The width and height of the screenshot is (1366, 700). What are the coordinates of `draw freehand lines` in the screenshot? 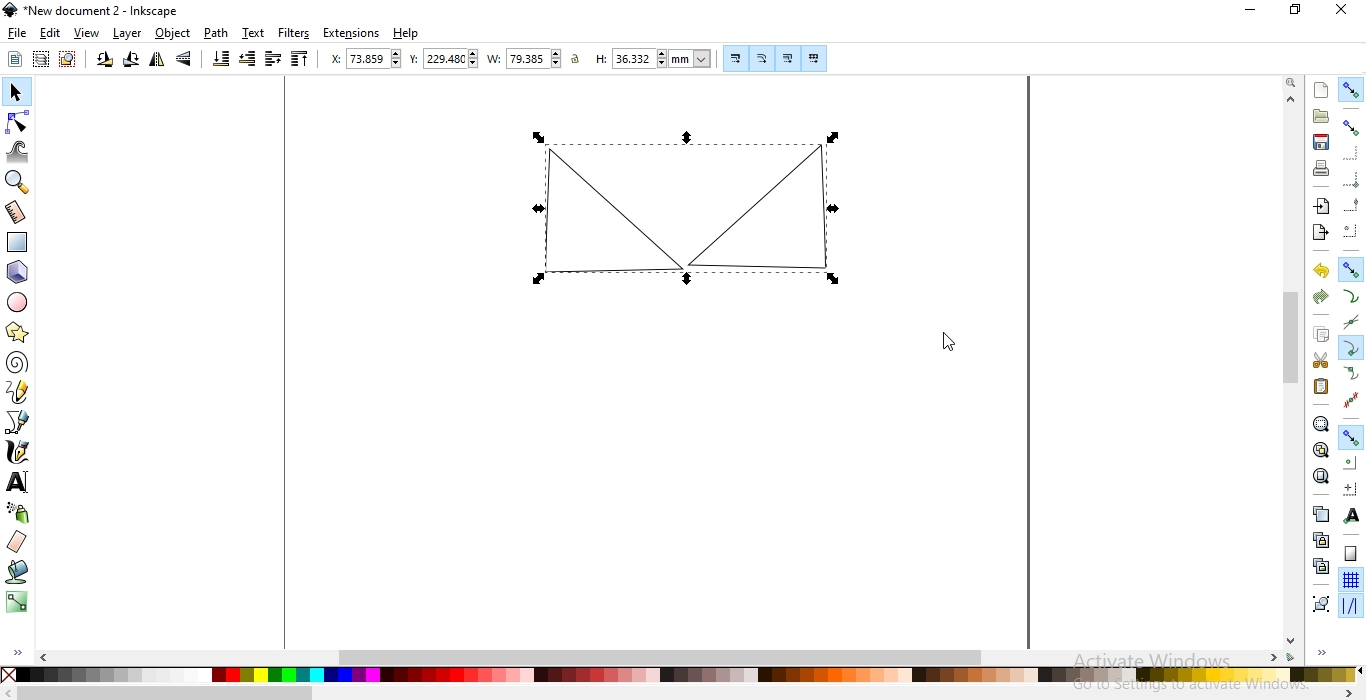 It's located at (19, 393).